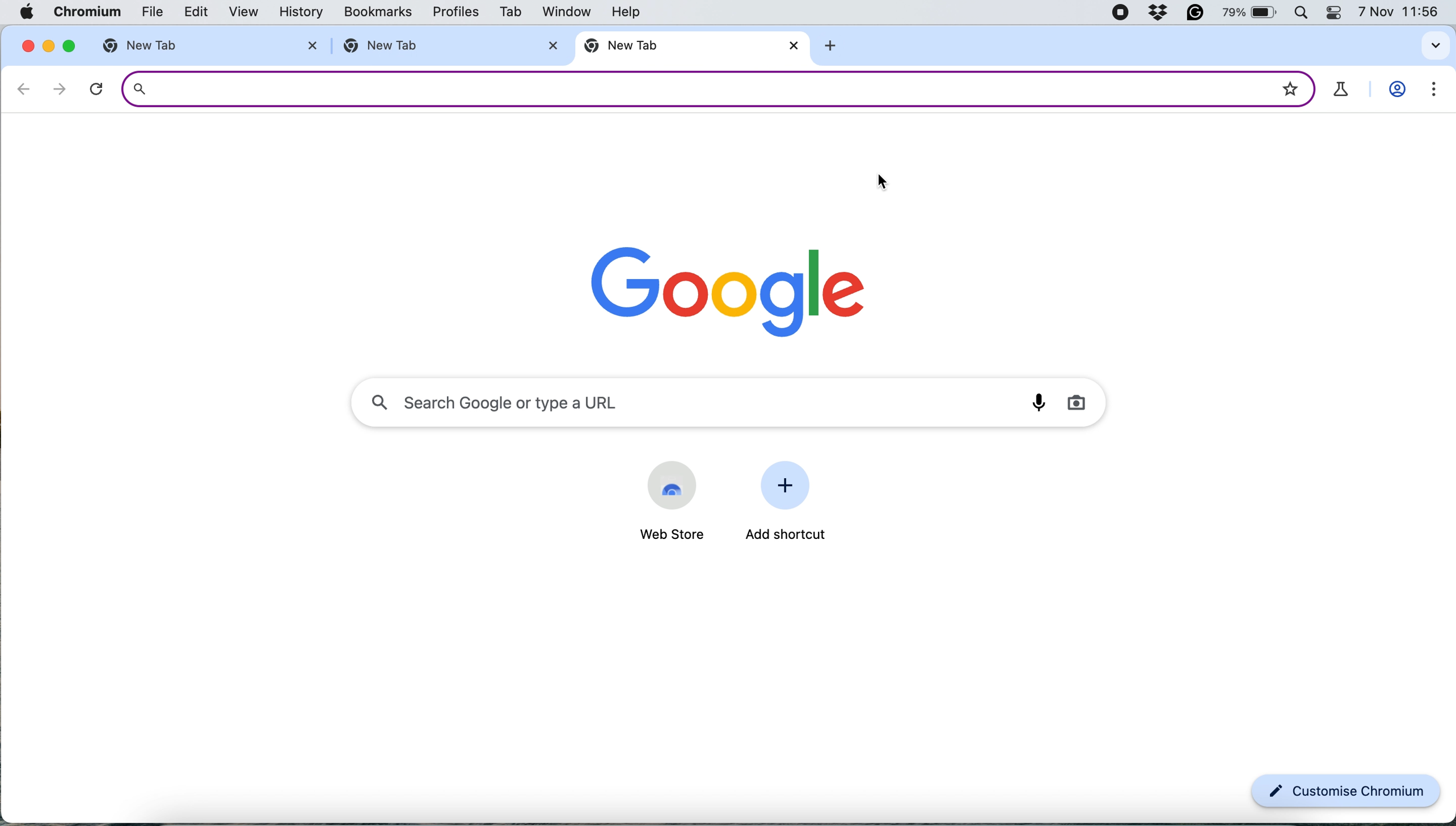 The height and width of the screenshot is (826, 1456). I want to click on cursor, so click(883, 183).